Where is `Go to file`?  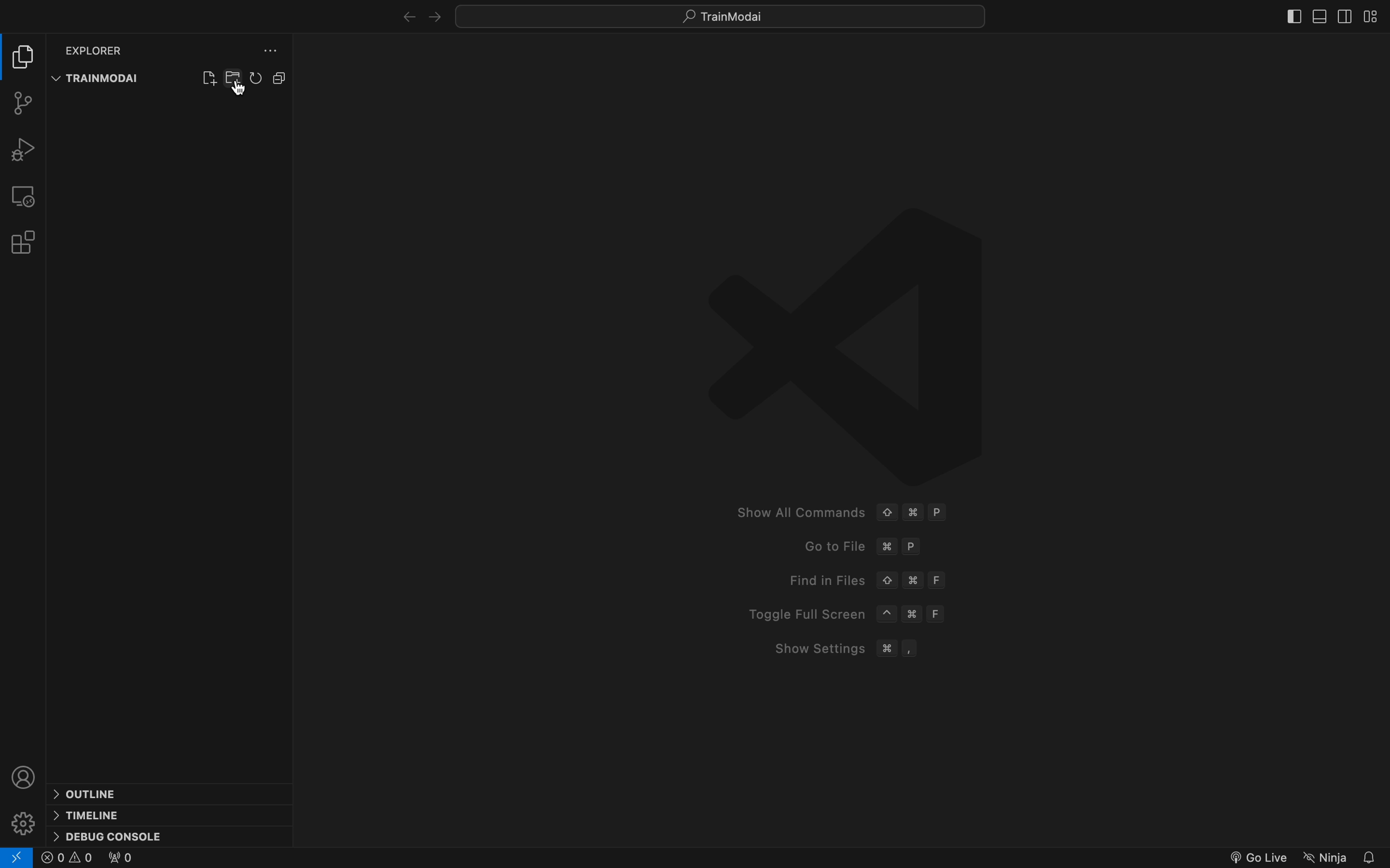
Go to file is located at coordinates (864, 549).